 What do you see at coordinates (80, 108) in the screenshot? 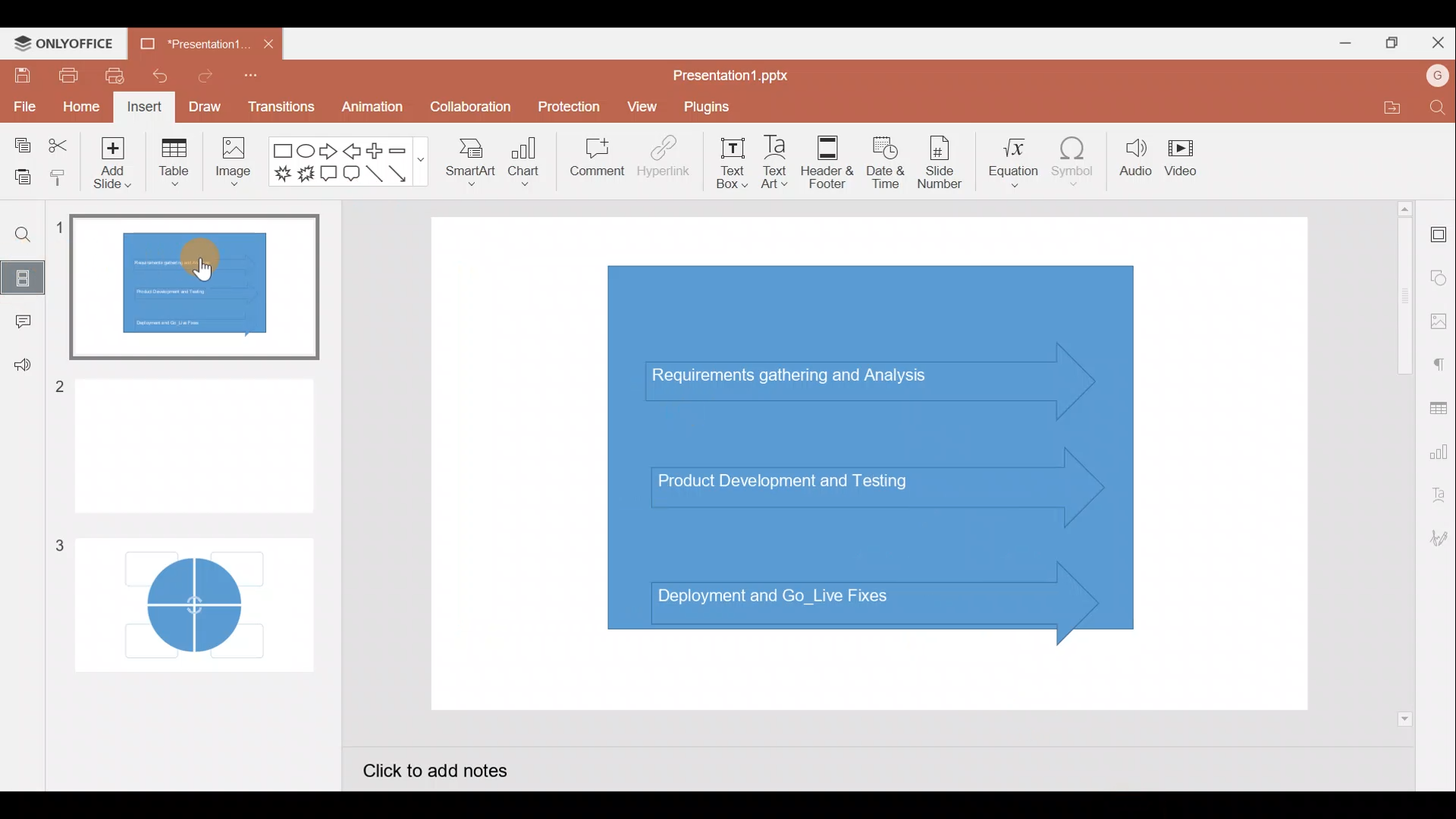
I see `Home` at bounding box center [80, 108].